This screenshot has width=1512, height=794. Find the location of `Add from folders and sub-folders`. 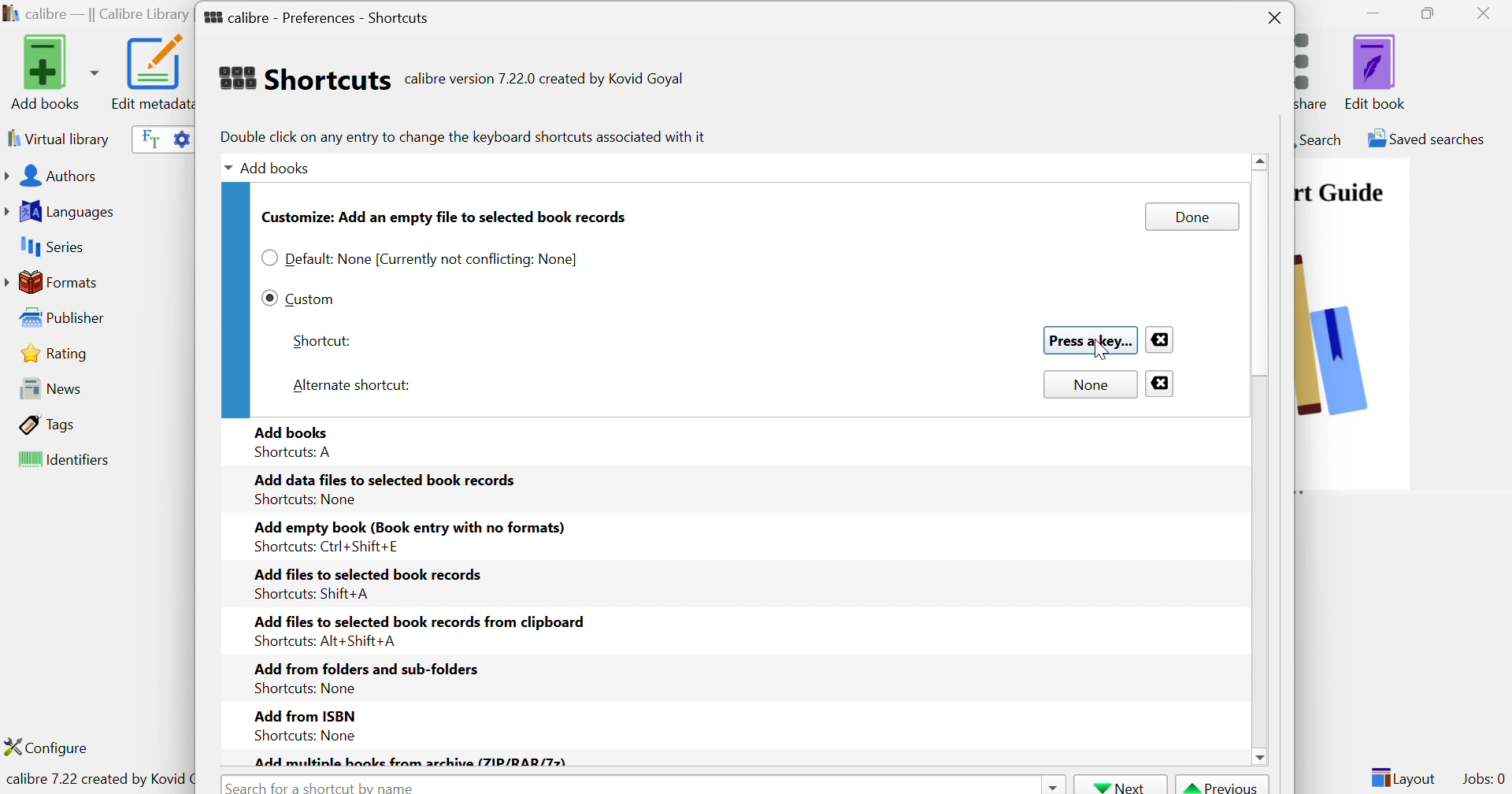

Add from folders and sub-folders is located at coordinates (365, 668).